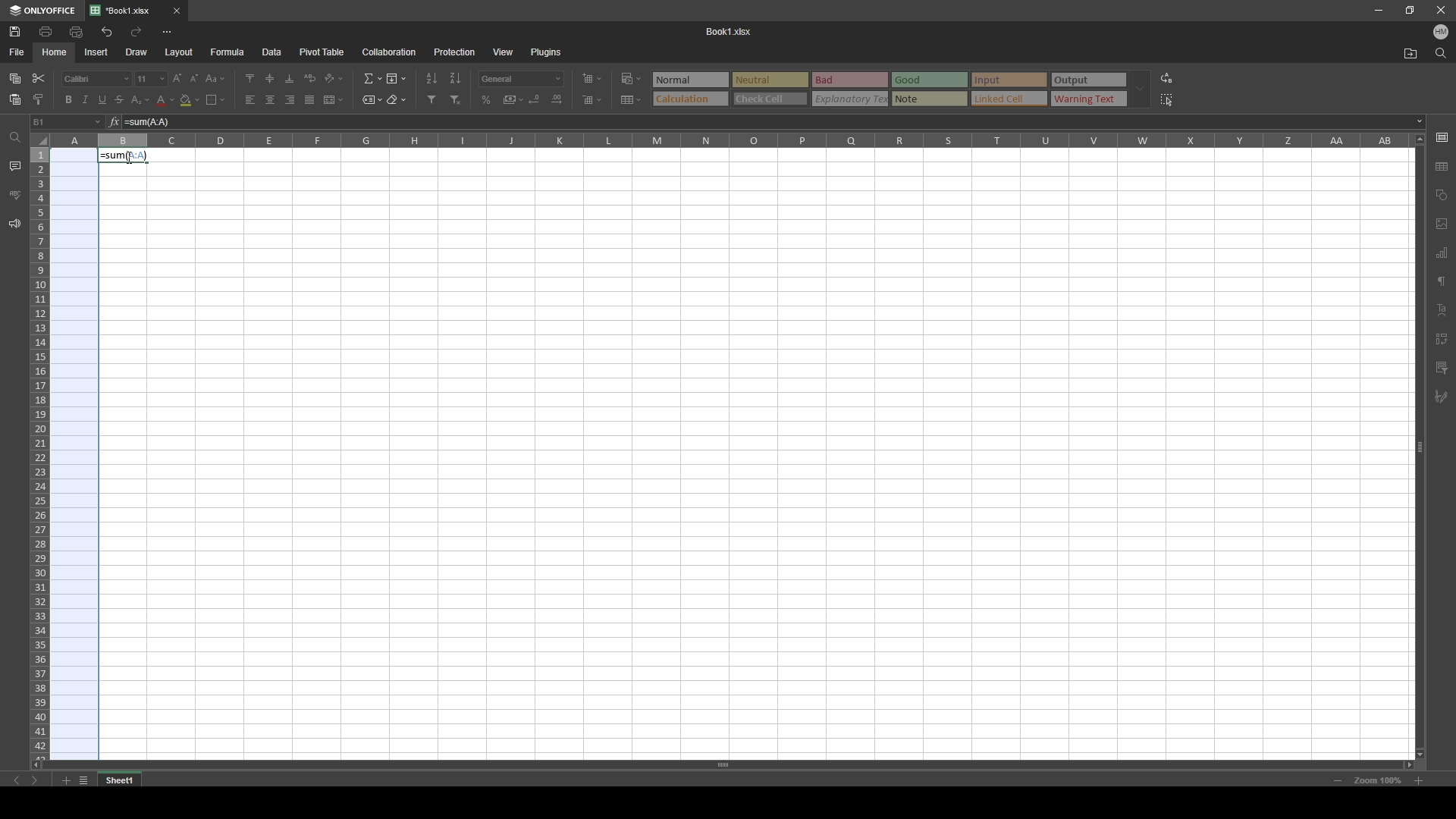 Image resolution: width=1456 pixels, height=819 pixels. Describe the element at coordinates (1379, 10) in the screenshot. I see `minimize` at that location.